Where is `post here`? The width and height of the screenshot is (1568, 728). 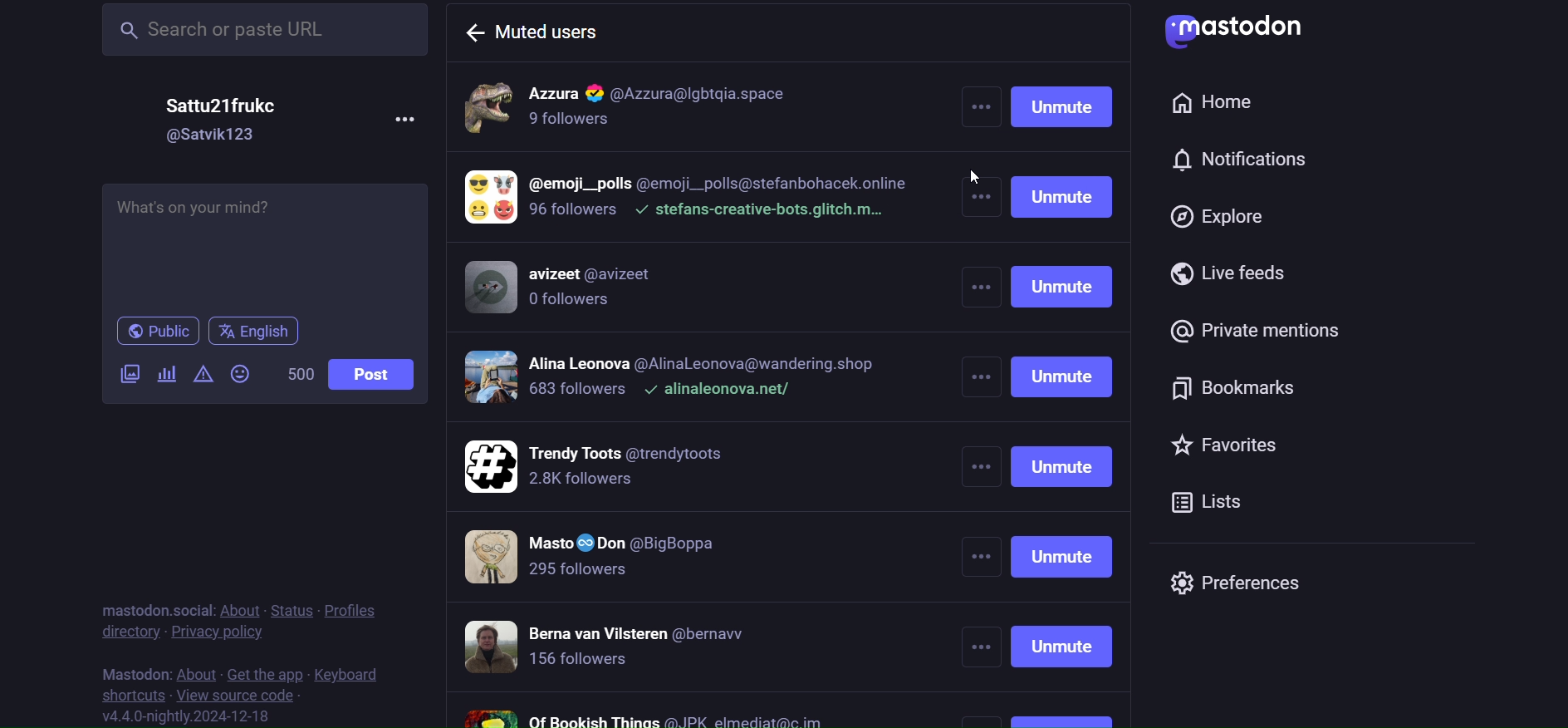 post here is located at coordinates (267, 243).